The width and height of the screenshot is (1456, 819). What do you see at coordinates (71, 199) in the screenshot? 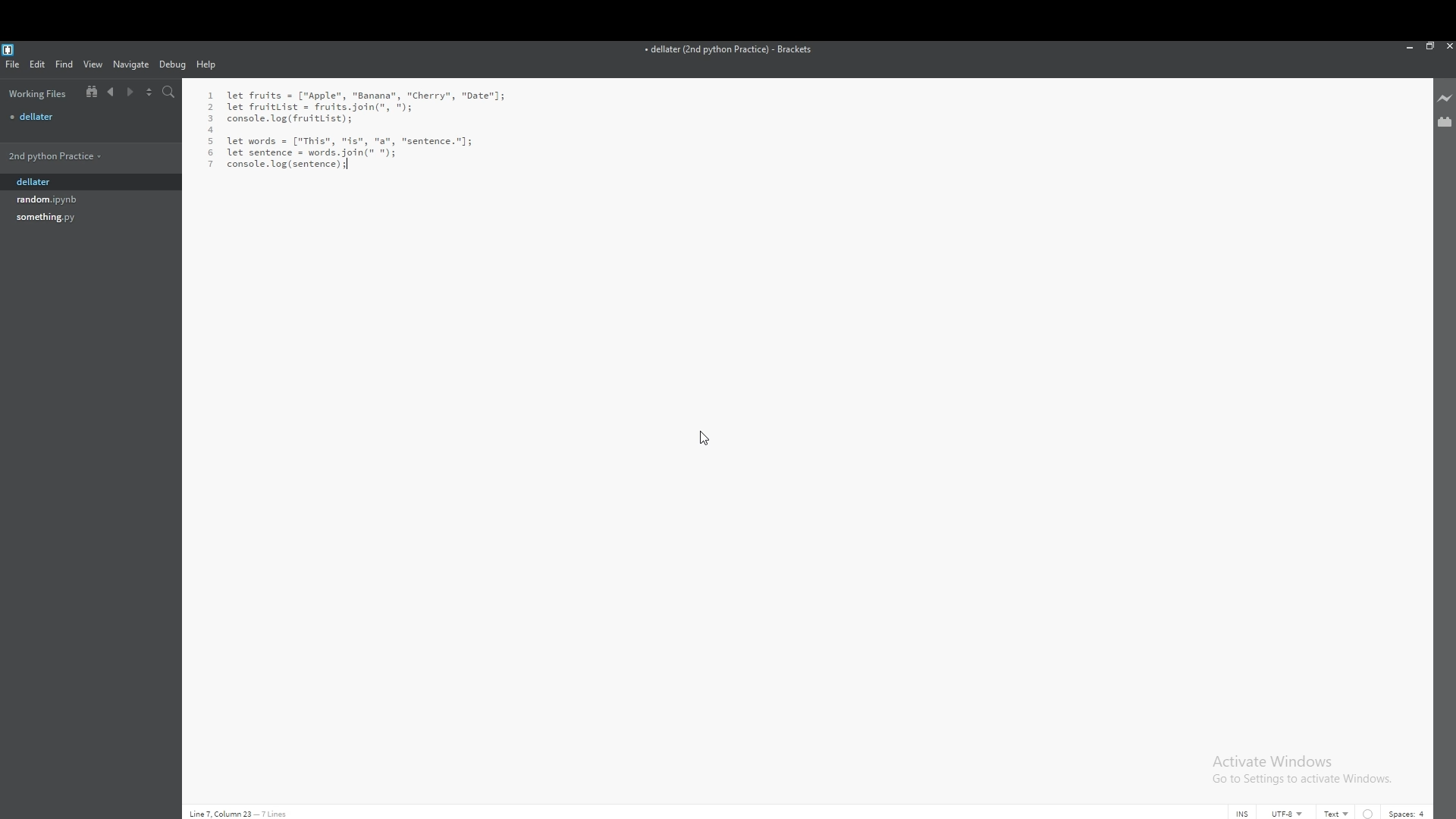
I see `file` at bounding box center [71, 199].